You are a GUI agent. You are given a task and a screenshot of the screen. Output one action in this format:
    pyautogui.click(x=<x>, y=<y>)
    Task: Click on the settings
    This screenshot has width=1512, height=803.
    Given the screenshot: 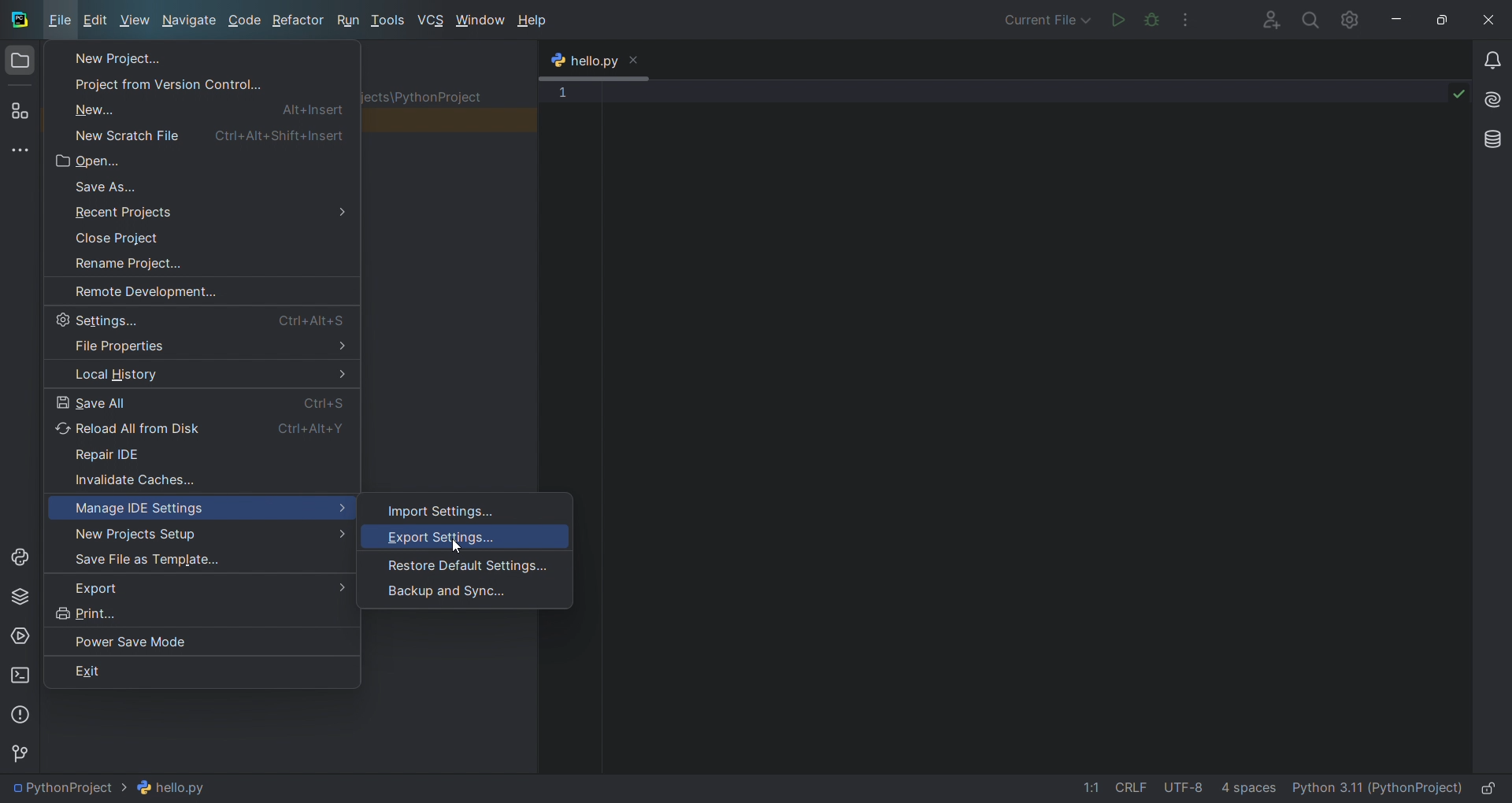 What is the action you would take?
    pyautogui.click(x=203, y=317)
    